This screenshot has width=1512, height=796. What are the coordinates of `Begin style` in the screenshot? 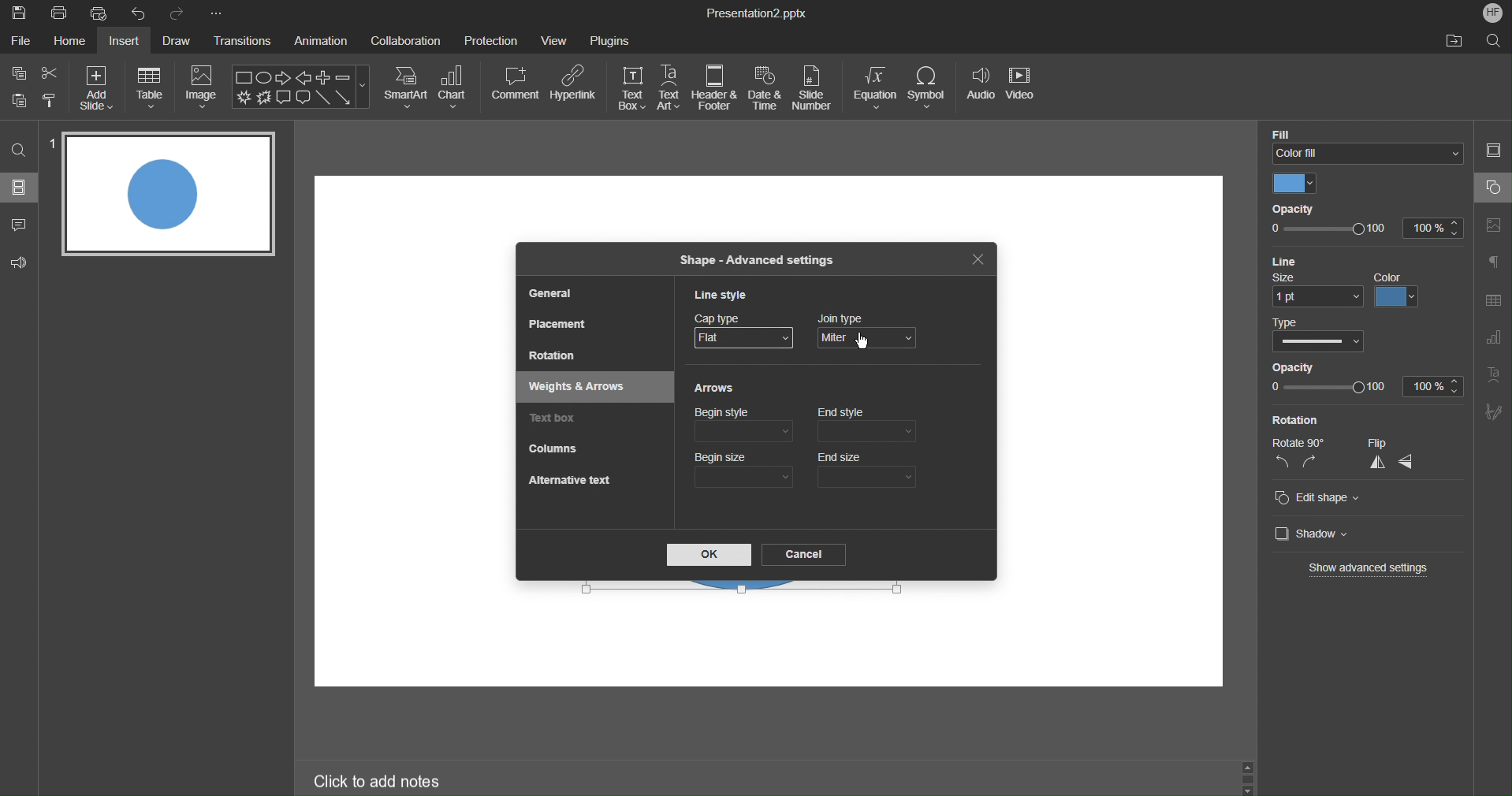 It's located at (742, 424).